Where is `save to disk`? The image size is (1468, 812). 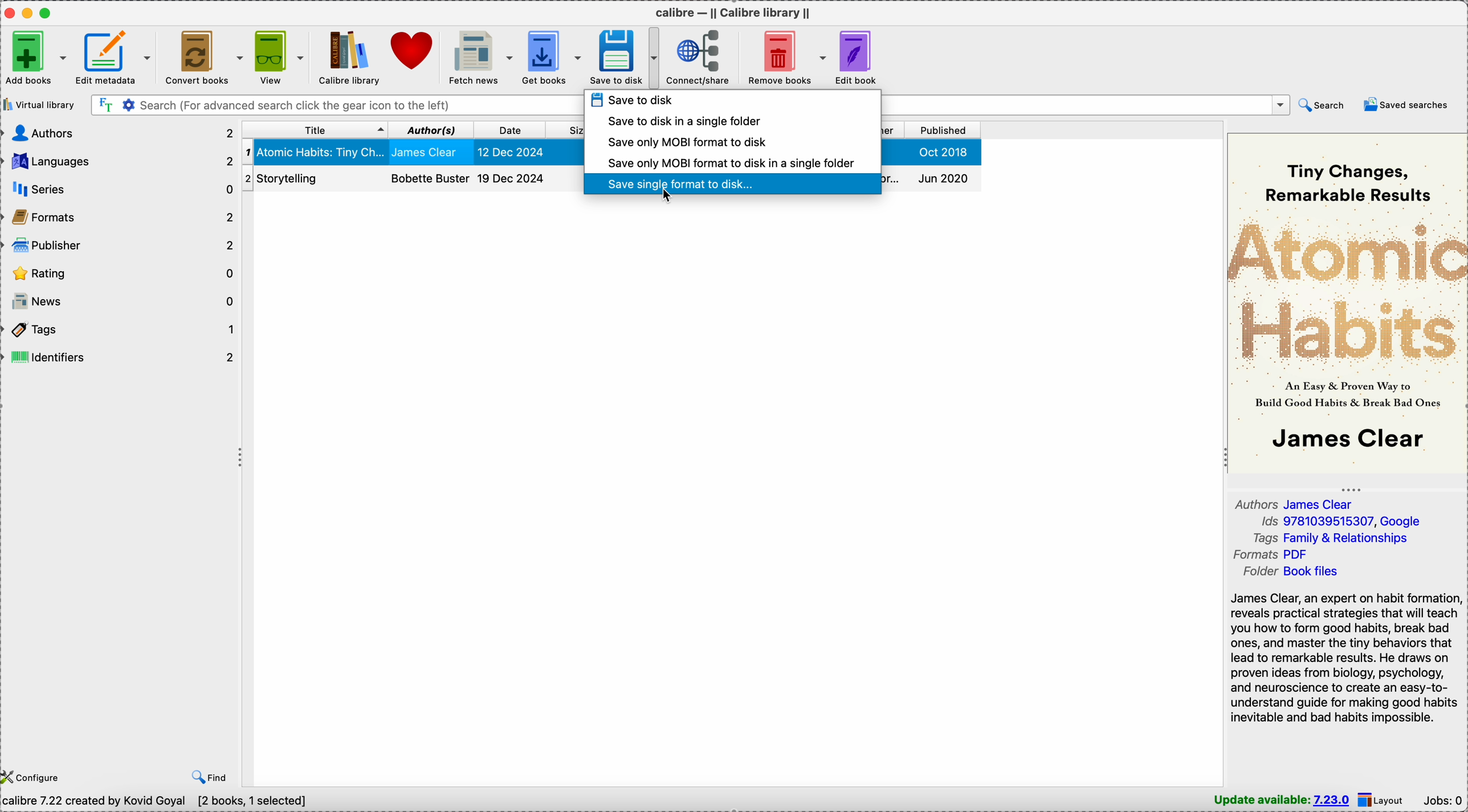 save to disk is located at coordinates (622, 57).